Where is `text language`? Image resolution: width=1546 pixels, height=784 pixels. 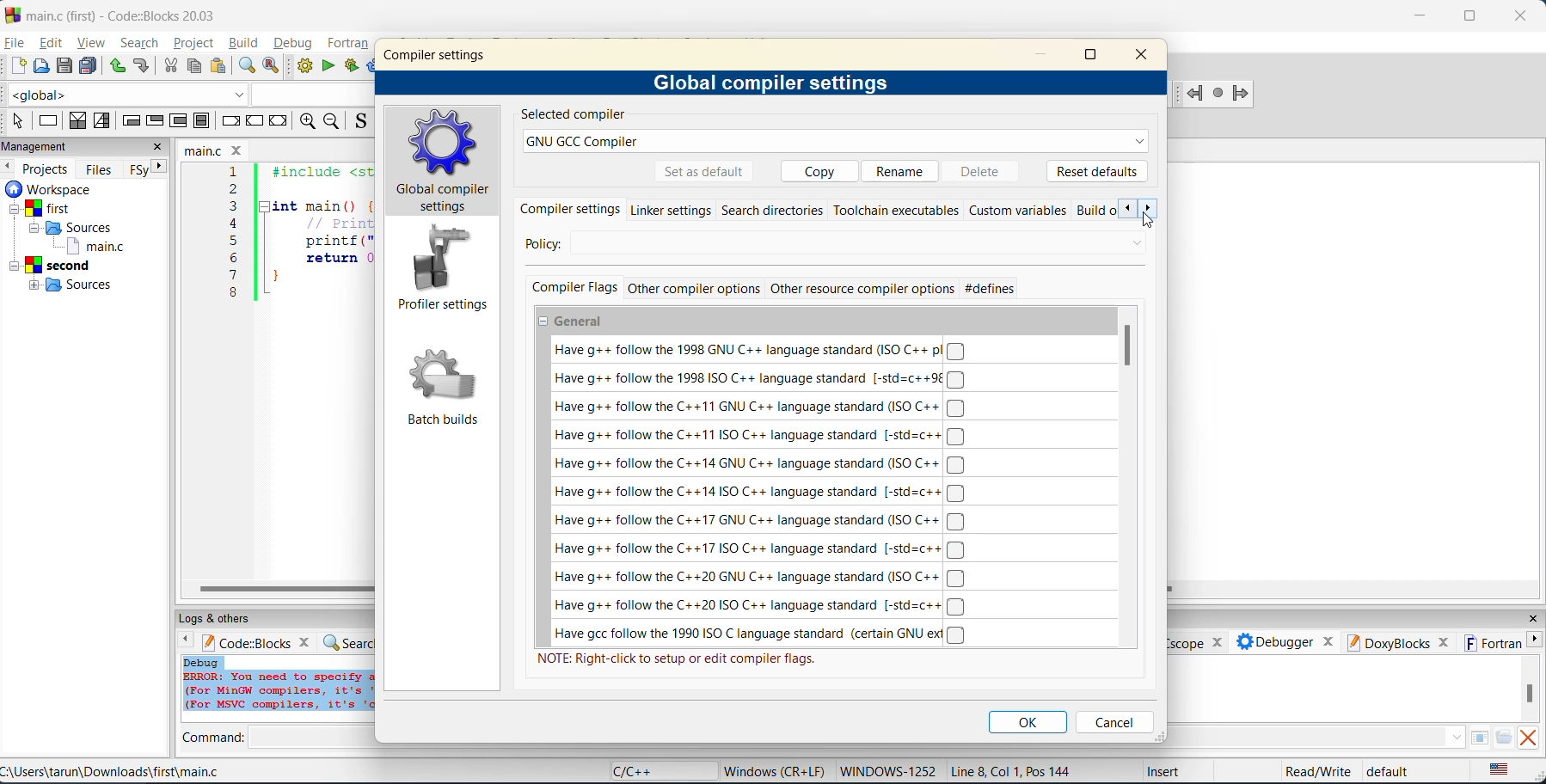 text language is located at coordinates (1500, 770).